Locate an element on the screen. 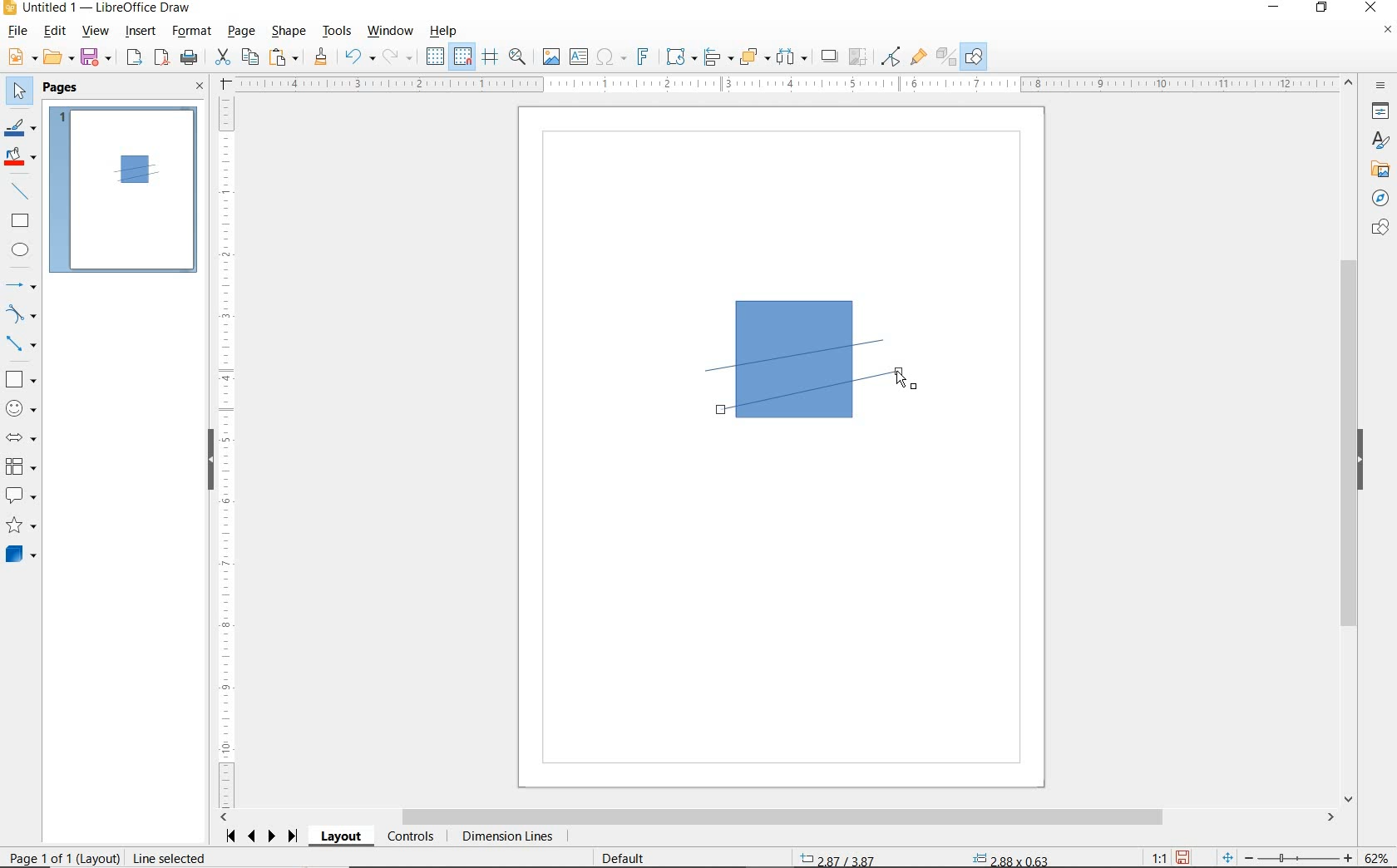 The image size is (1397, 868). SHOW GLUEPOINT FUNCTIONS is located at coordinates (917, 56).